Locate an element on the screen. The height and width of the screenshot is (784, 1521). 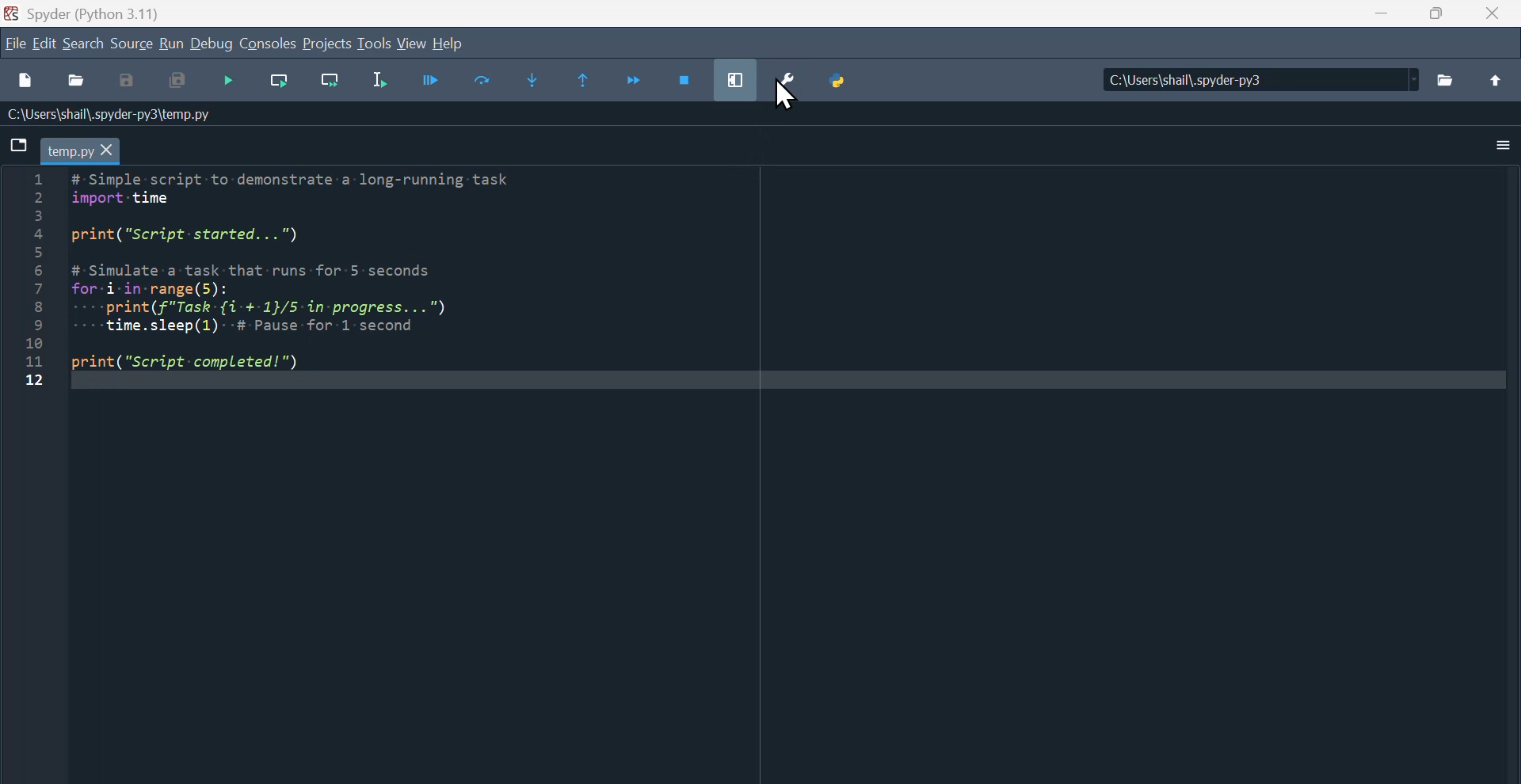
Python code is located at coordinates (324, 291).